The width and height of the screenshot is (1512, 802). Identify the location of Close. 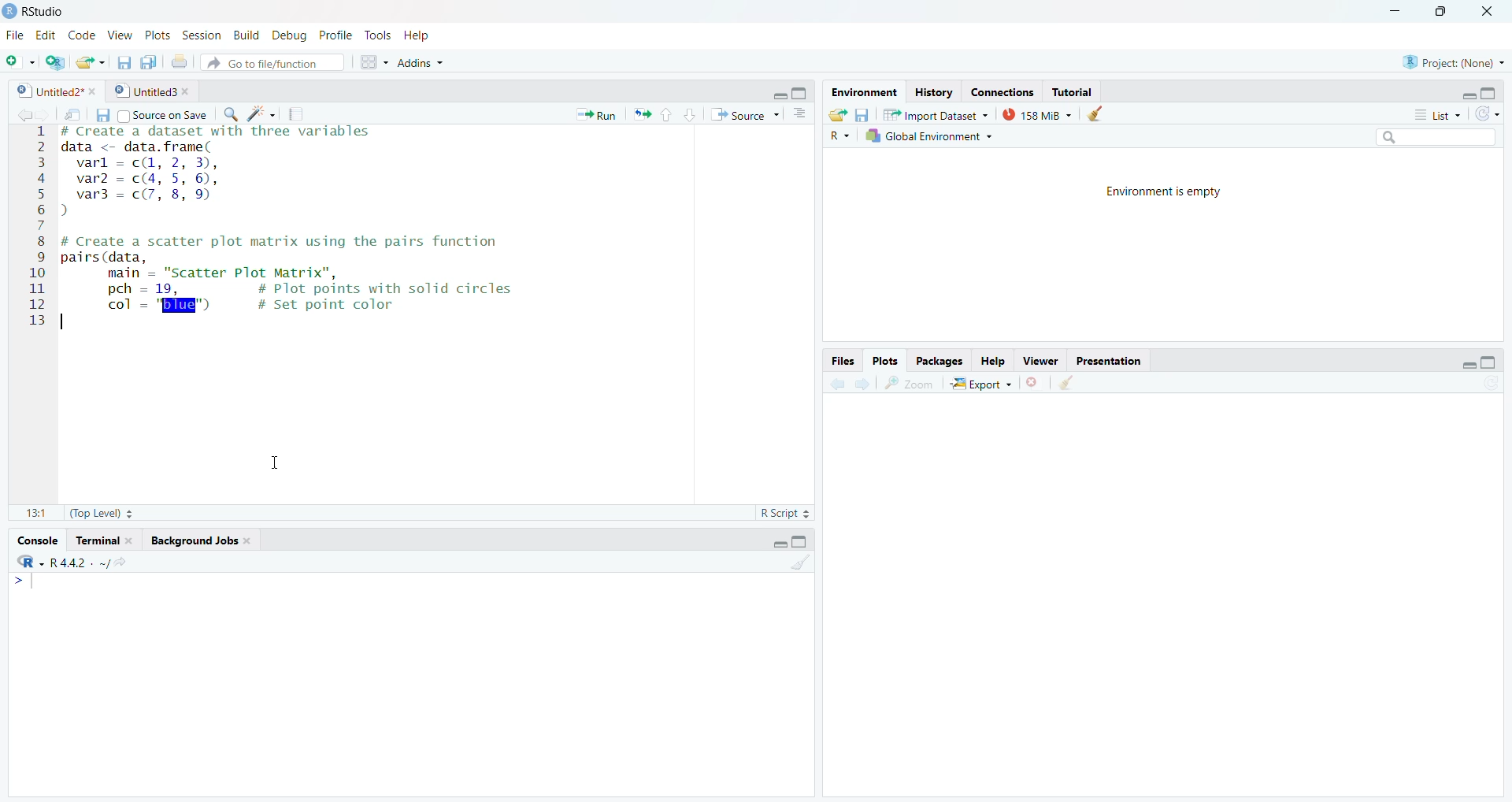
(1489, 16).